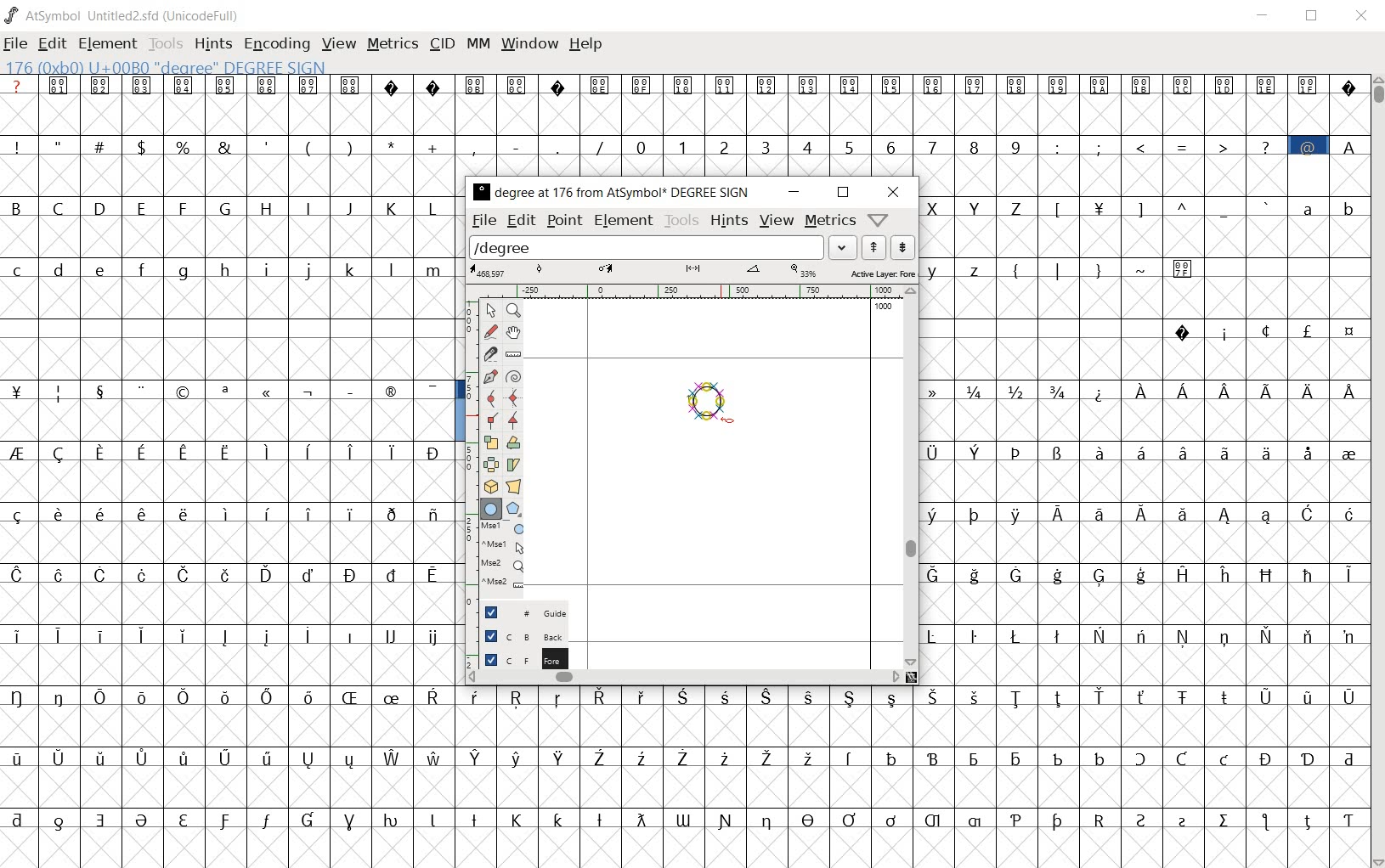 The height and width of the screenshot is (868, 1385). What do you see at coordinates (878, 219) in the screenshot?
I see `help/window` at bounding box center [878, 219].